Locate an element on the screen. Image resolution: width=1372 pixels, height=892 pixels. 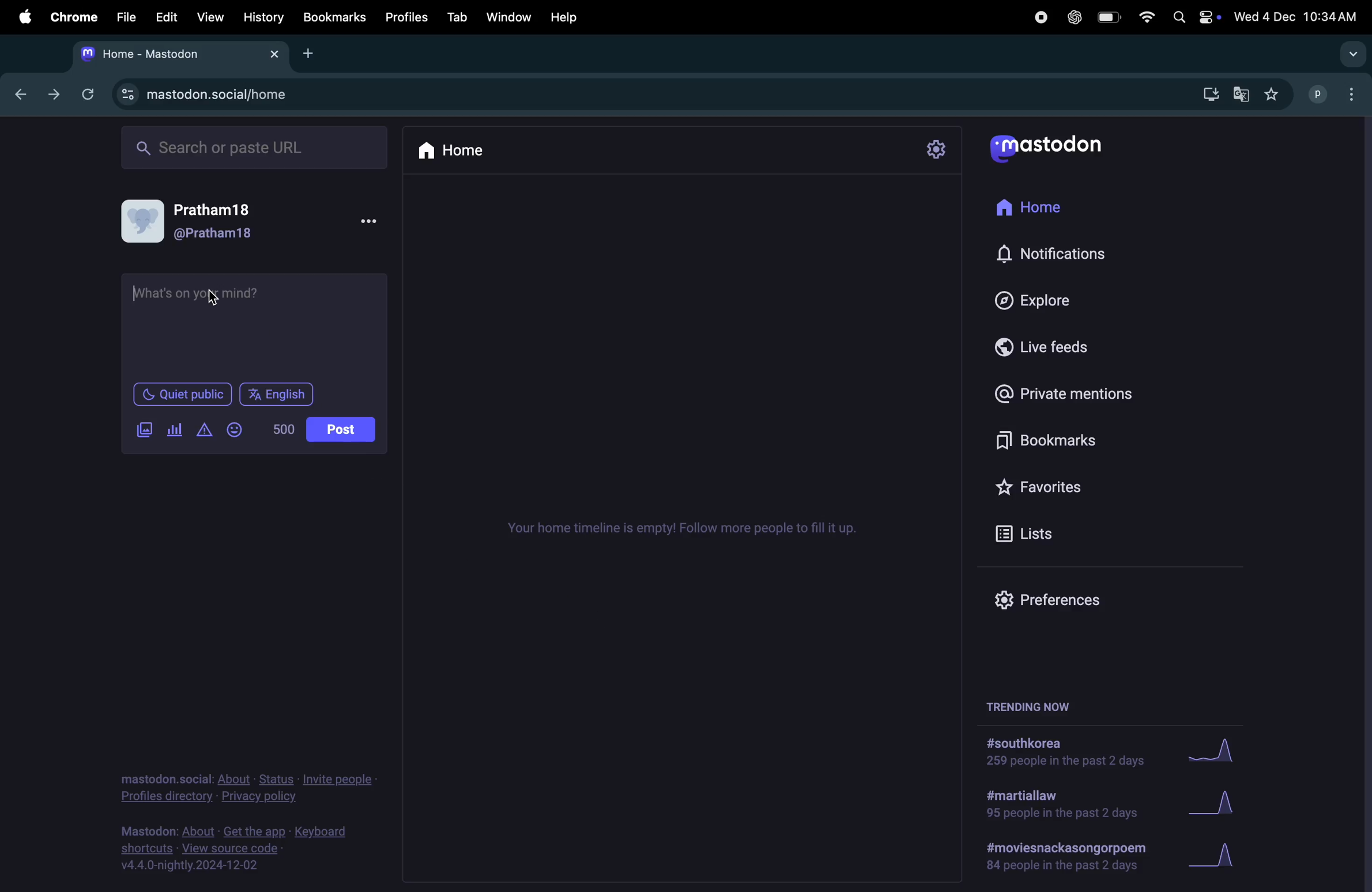
Lists is located at coordinates (1032, 532).